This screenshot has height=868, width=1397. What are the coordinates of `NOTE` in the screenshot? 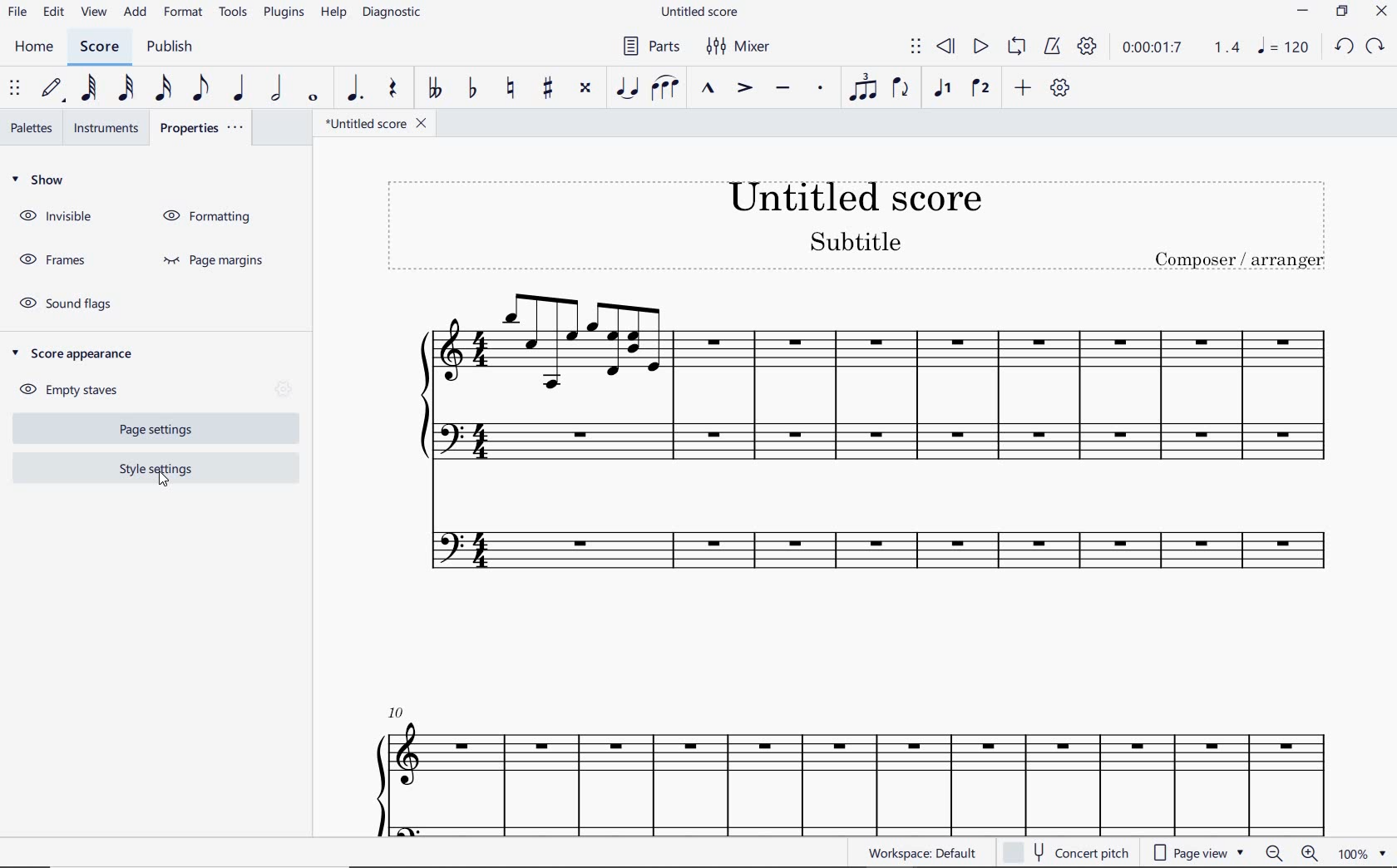 It's located at (1282, 47).